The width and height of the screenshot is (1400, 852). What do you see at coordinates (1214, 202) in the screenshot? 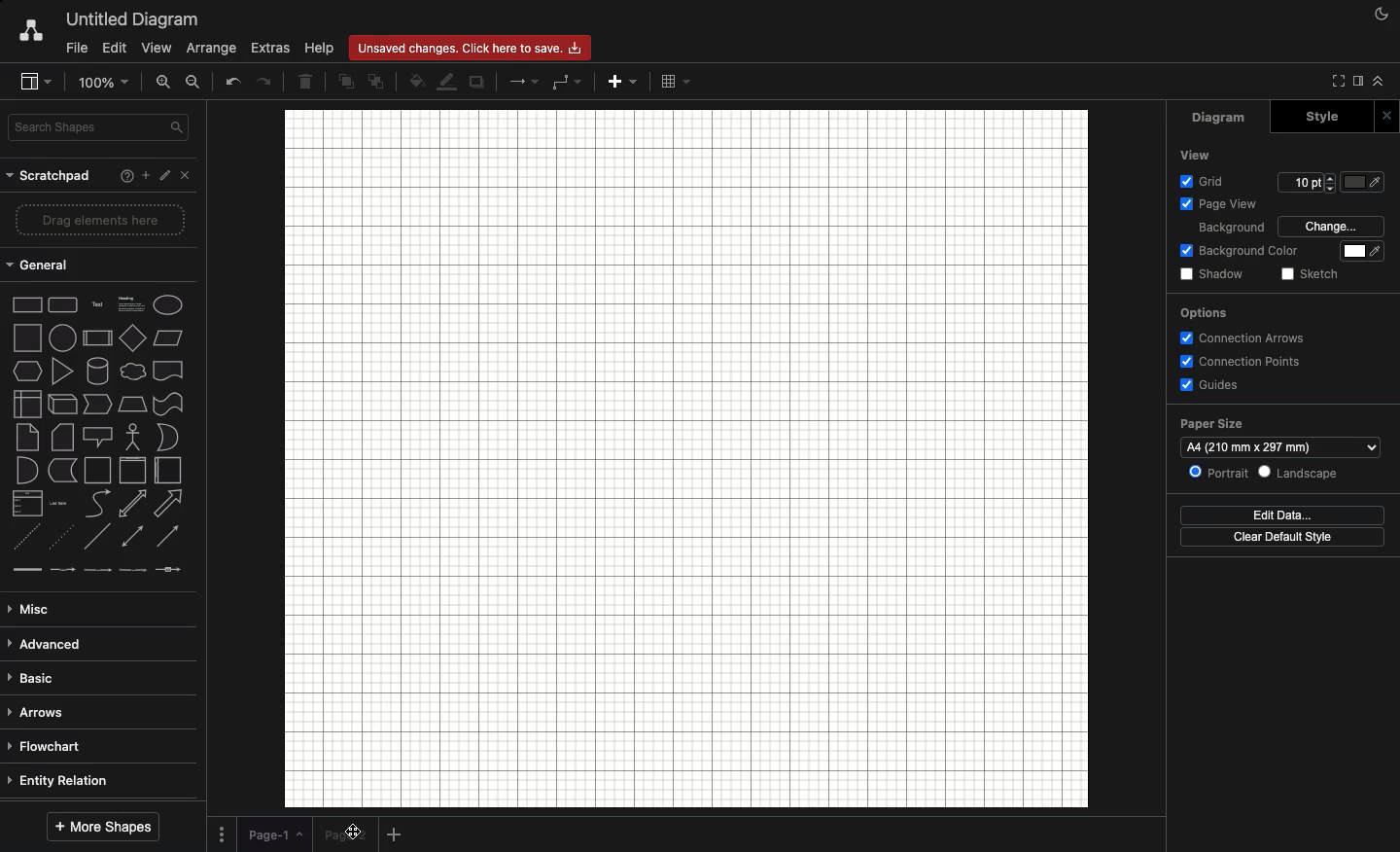
I see `Page view` at bounding box center [1214, 202].